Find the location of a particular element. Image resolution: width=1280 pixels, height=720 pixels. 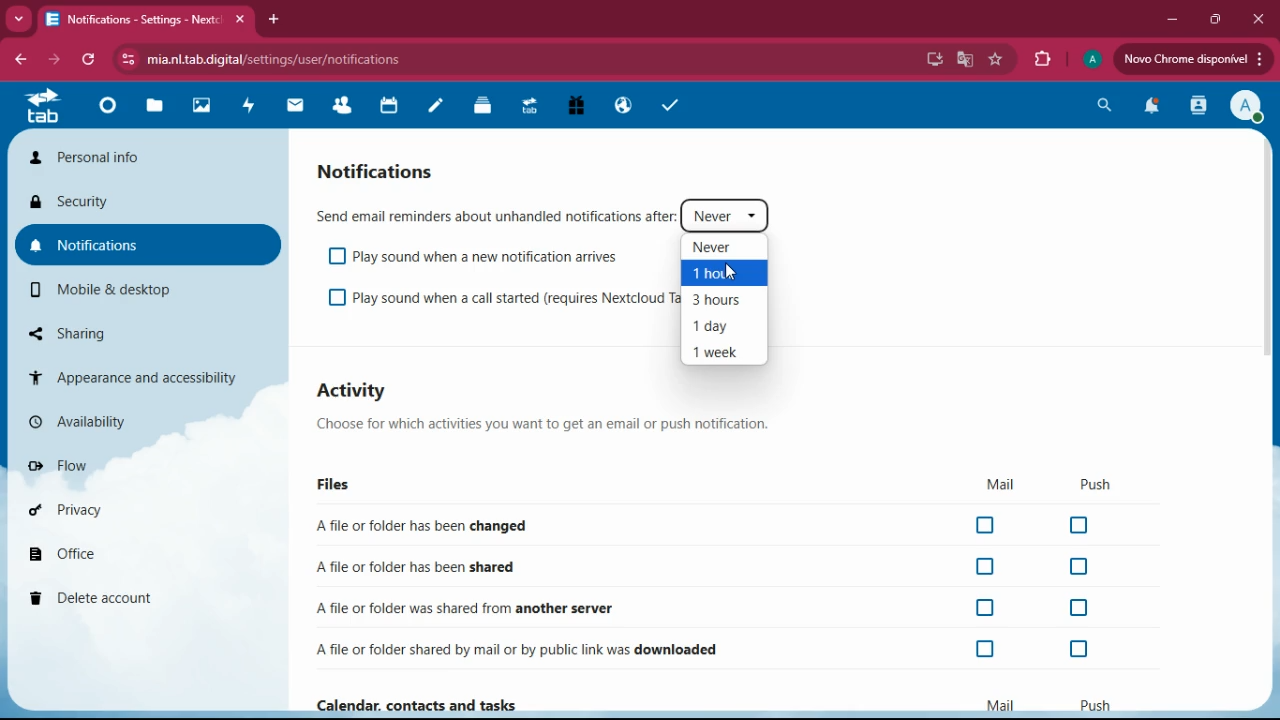

cursor is located at coordinates (734, 272).